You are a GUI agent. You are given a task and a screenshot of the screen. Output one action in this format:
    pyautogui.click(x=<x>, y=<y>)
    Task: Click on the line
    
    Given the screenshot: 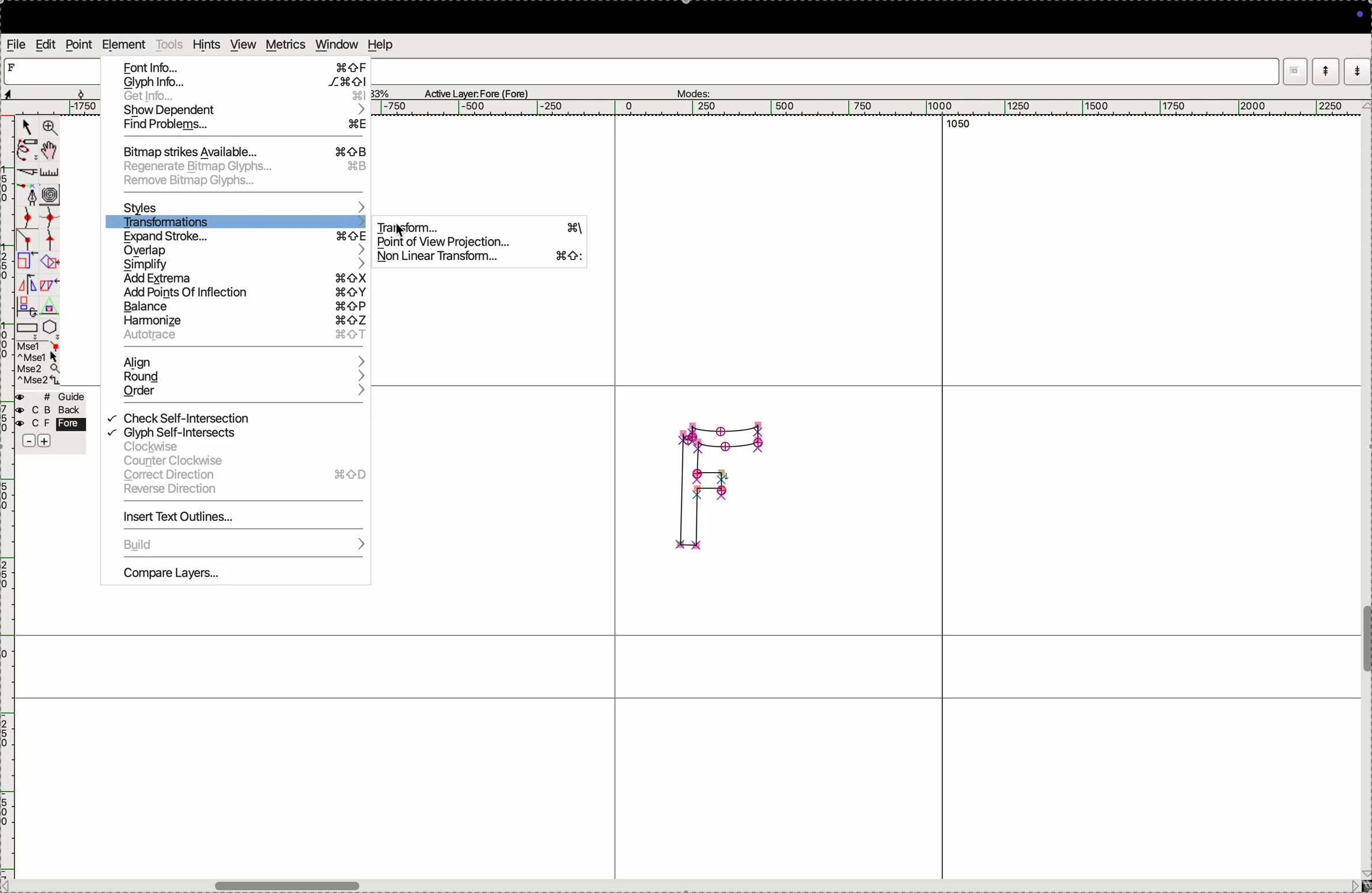 What is the action you would take?
    pyautogui.click(x=29, y=242)
    